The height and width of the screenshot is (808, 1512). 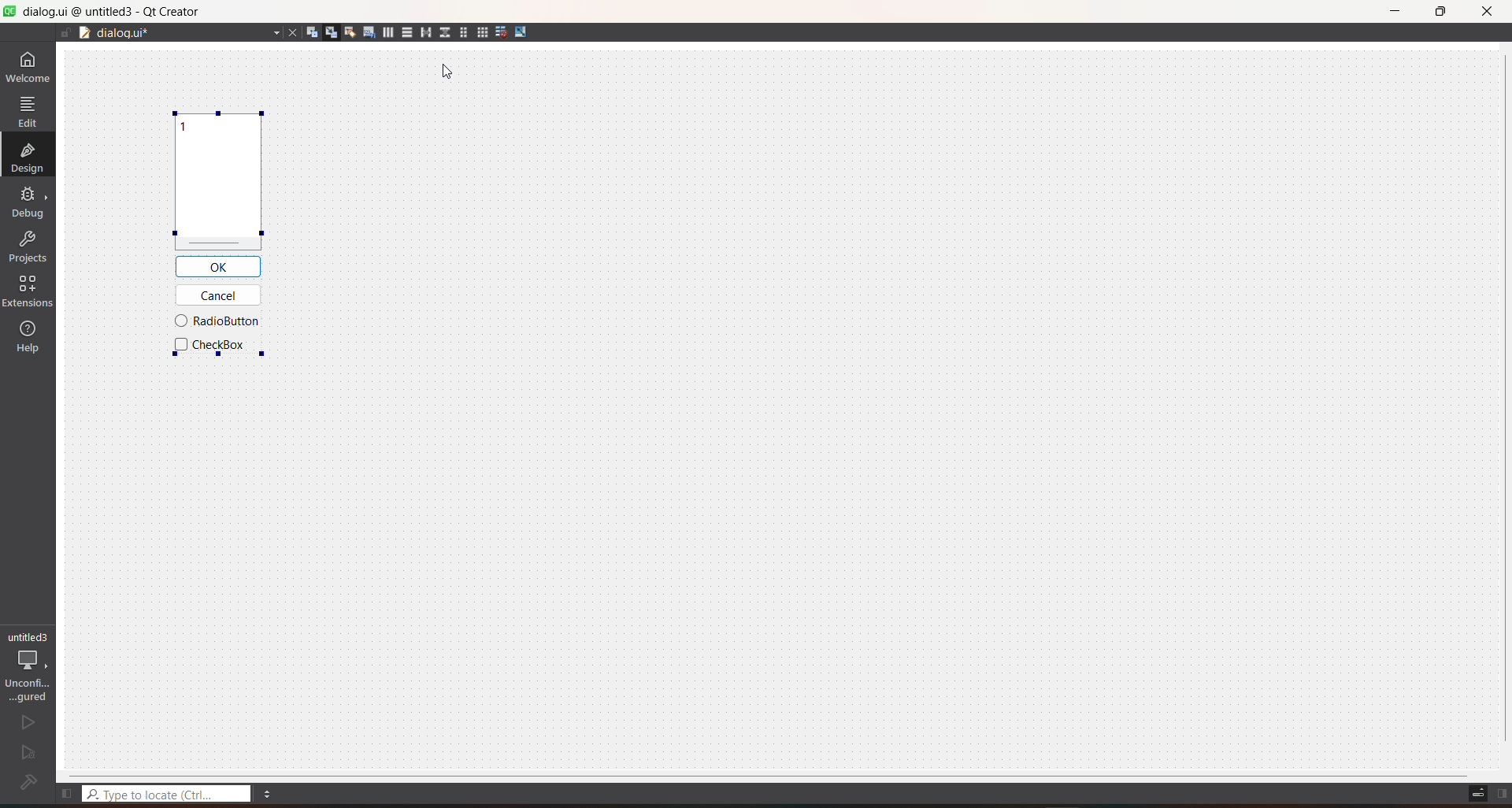 What do you see at coordinates (387, 32) in the screenshot?
I see `layout horizontally` at bounding box center [387, 32].